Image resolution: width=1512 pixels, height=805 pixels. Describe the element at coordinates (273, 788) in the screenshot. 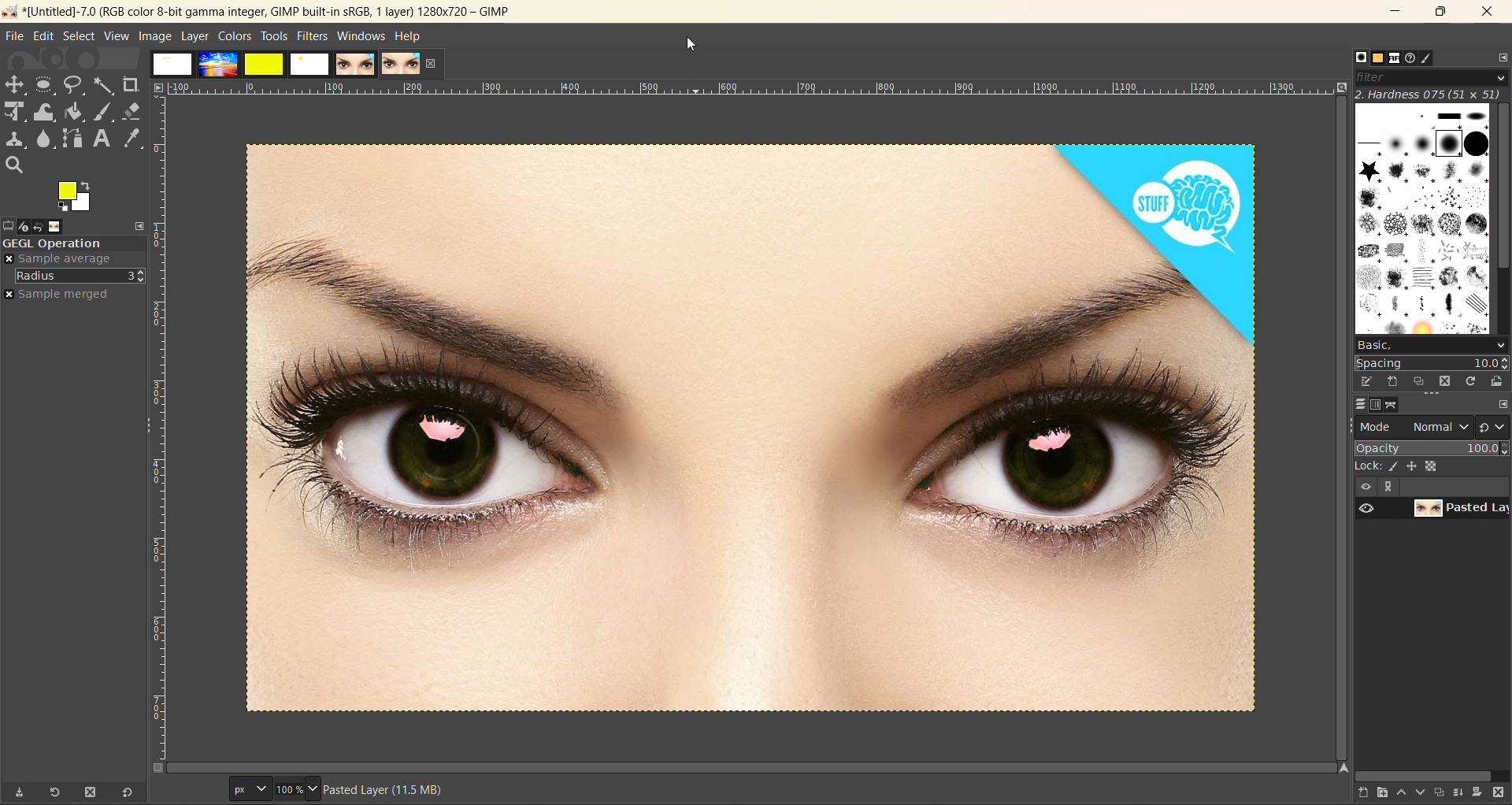

I see `size` at that location.